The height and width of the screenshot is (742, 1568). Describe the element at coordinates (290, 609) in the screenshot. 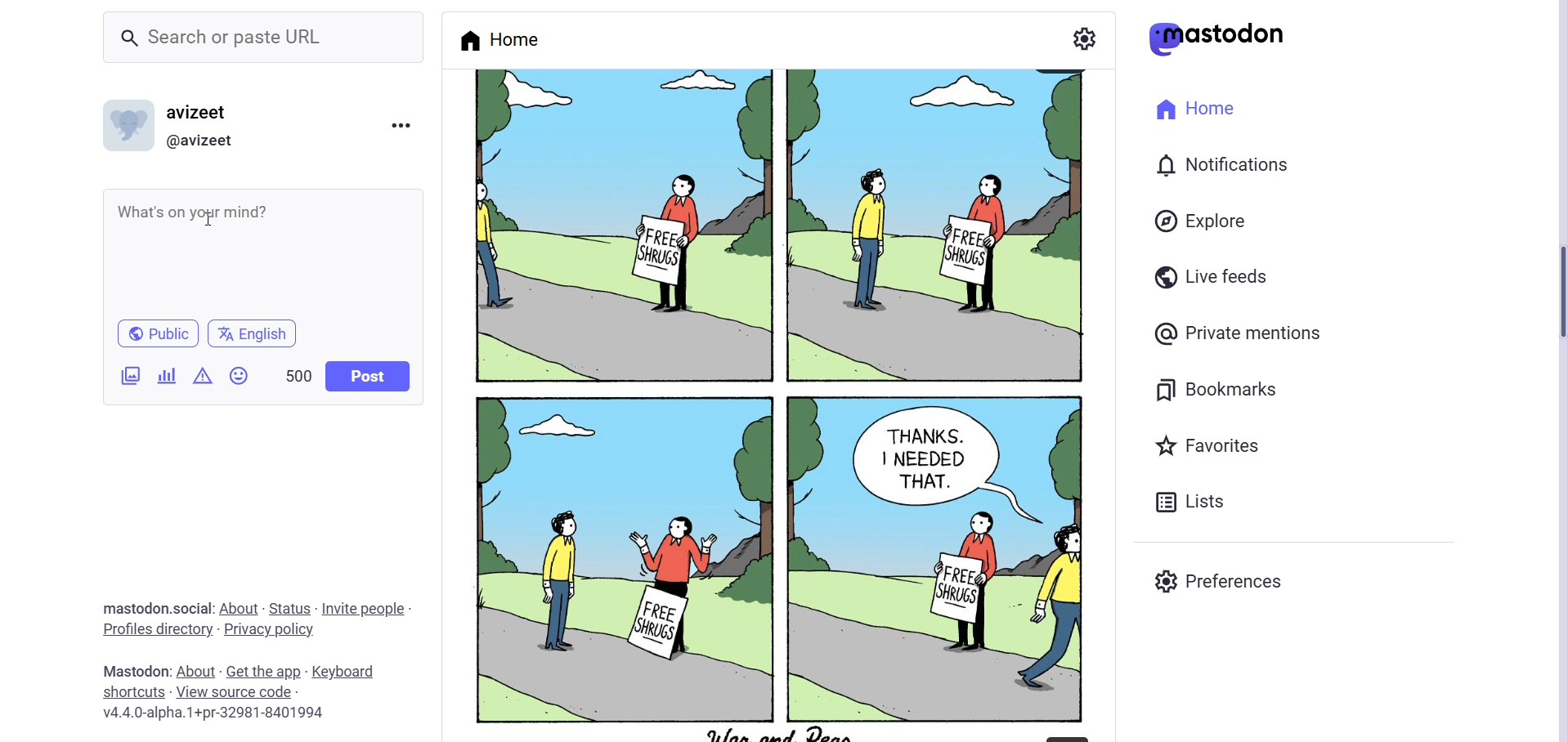

I see `Status` at that location.